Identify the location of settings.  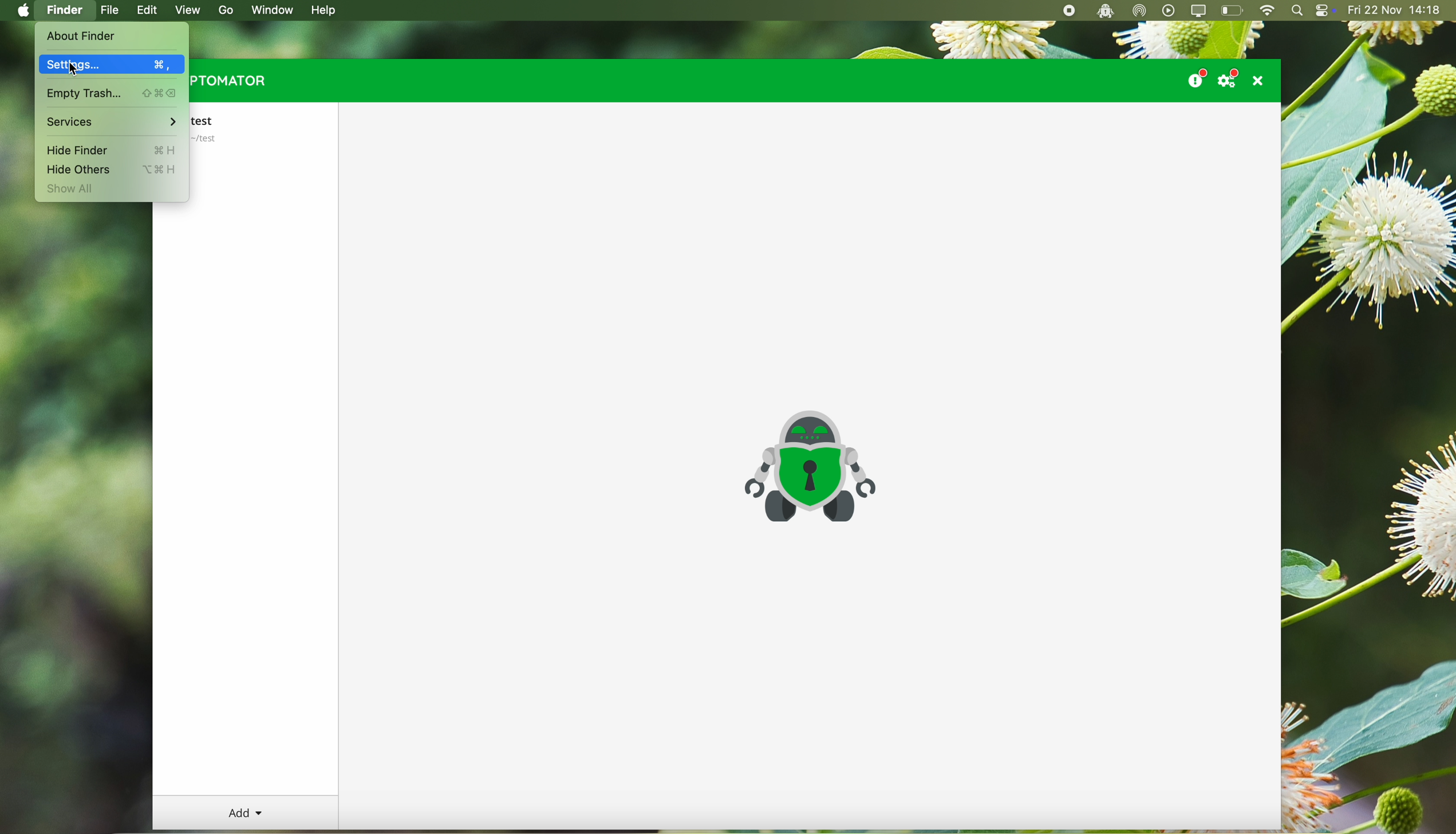
(111, 64).